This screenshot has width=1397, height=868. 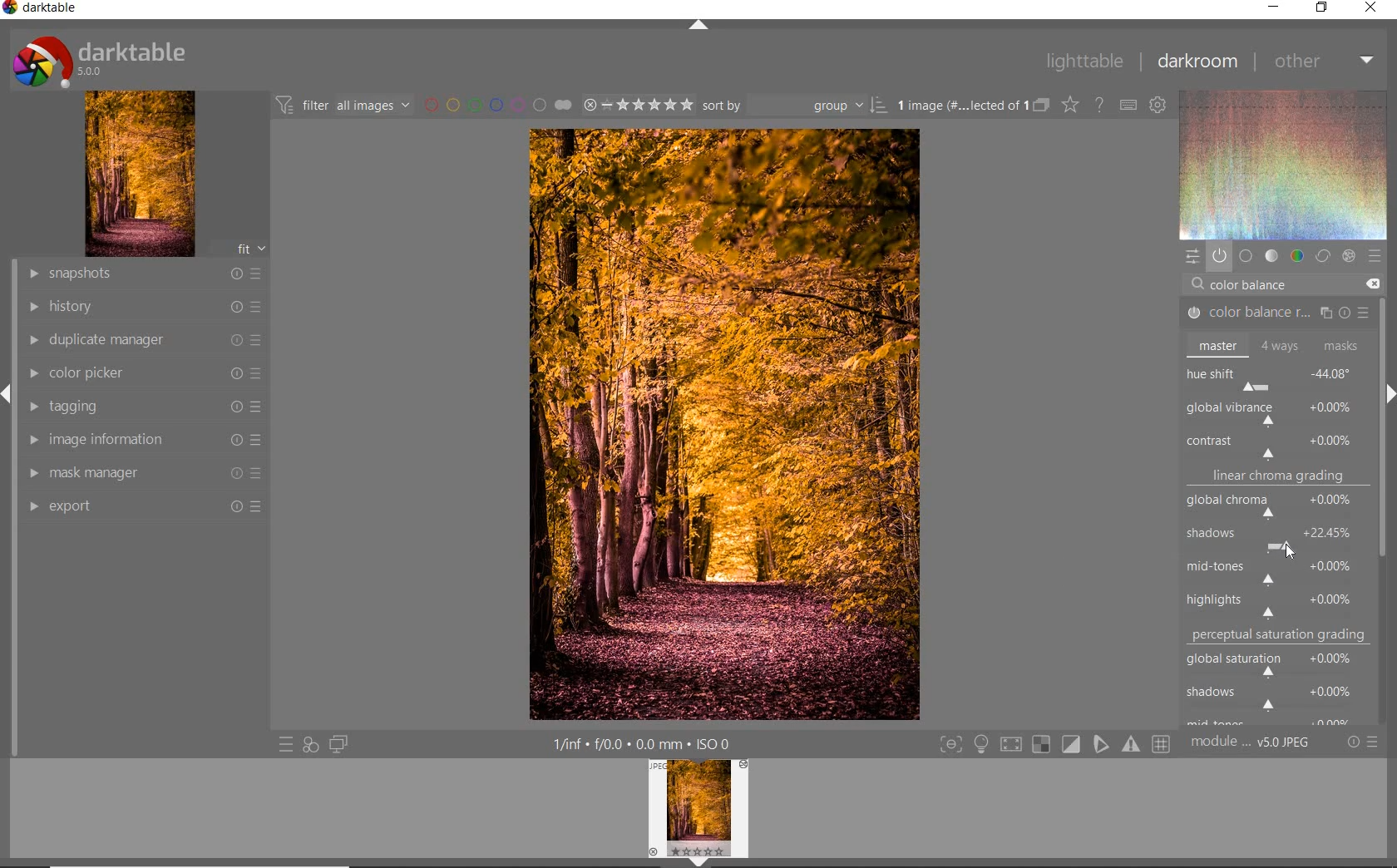 I want to click on toggle modes, so click(x=1051, y=744).